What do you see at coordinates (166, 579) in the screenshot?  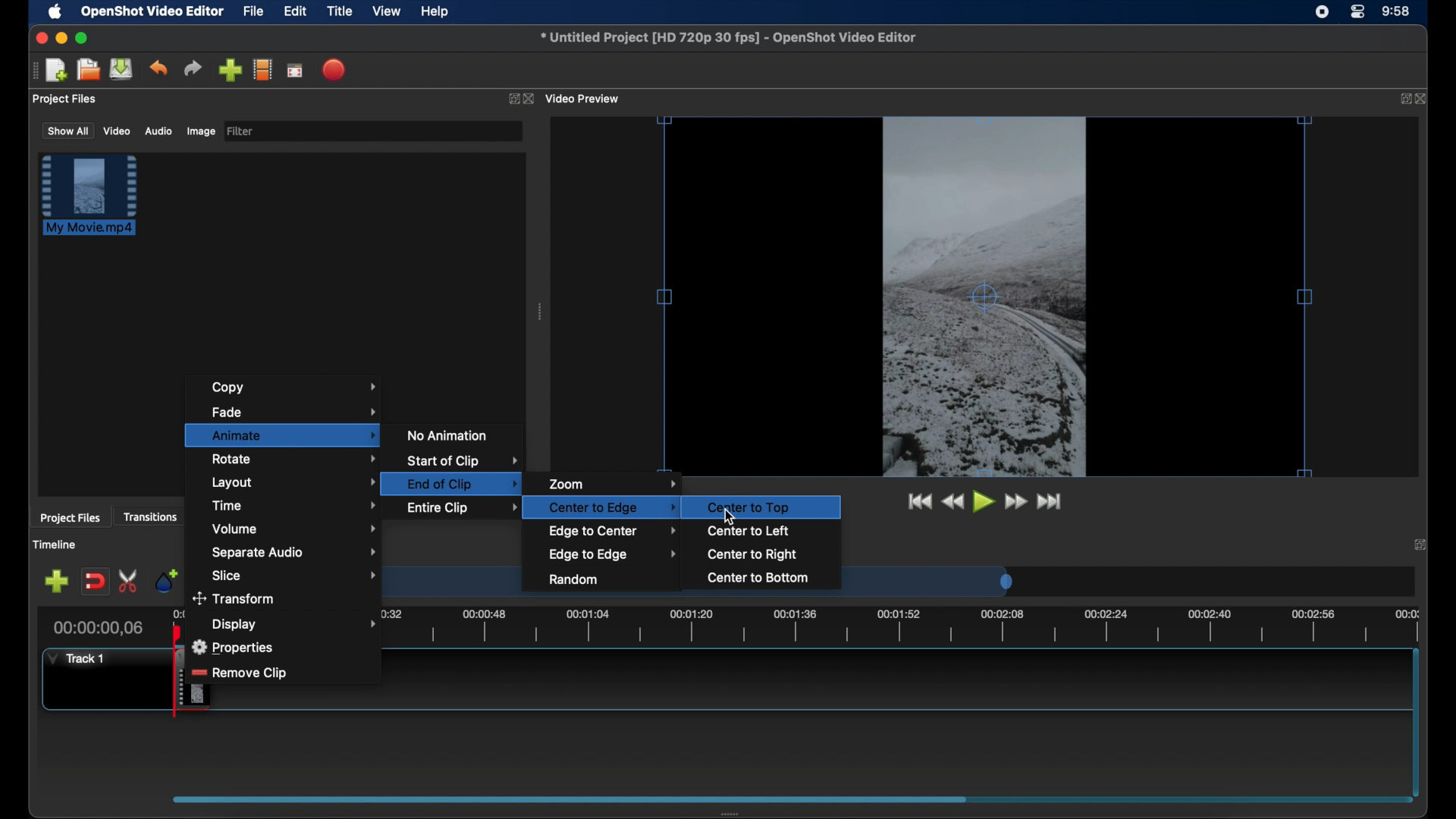 I see `add marker` at bounding box center [166, 579].